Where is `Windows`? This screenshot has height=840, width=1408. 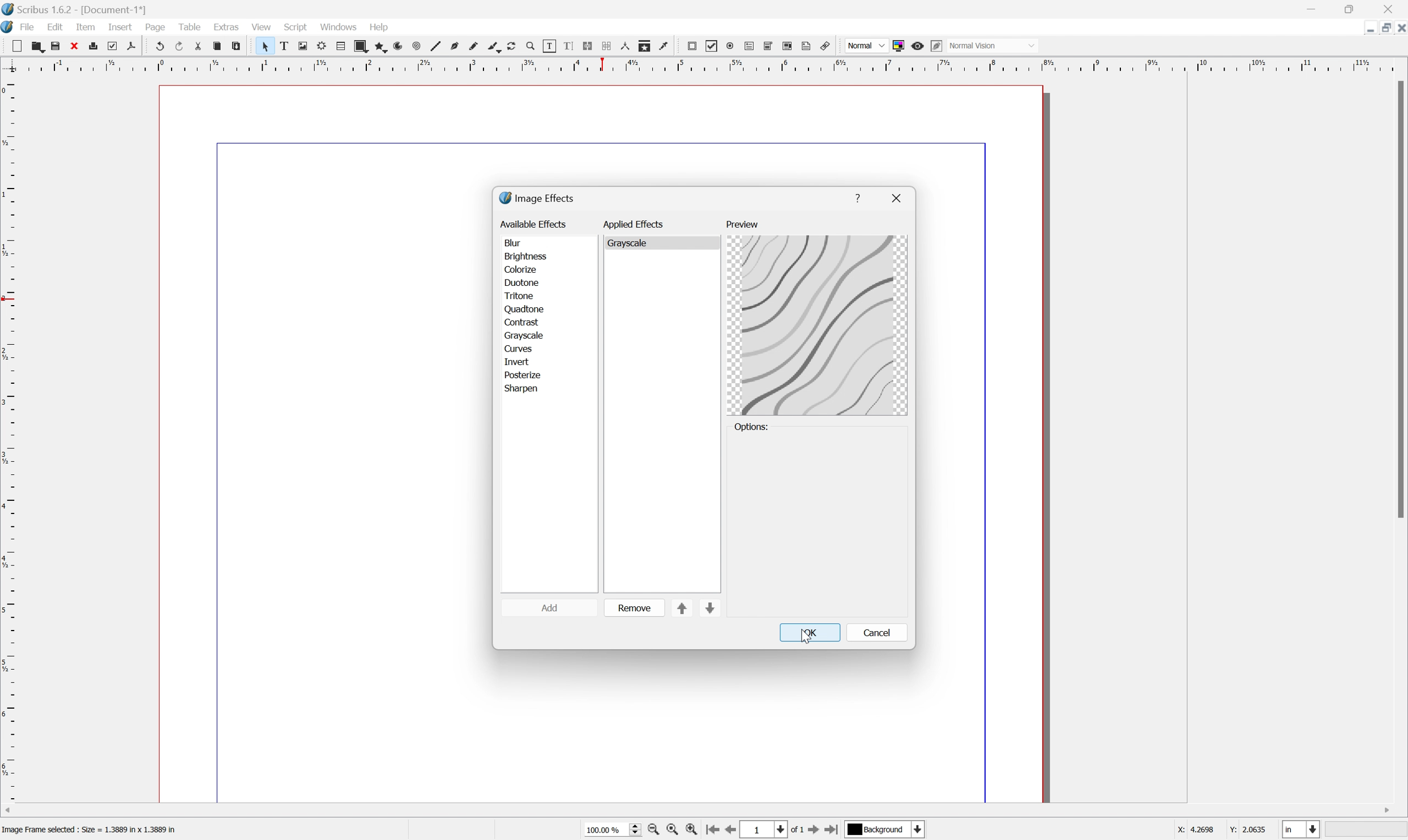
Windows is located at coordinates (339, 26).